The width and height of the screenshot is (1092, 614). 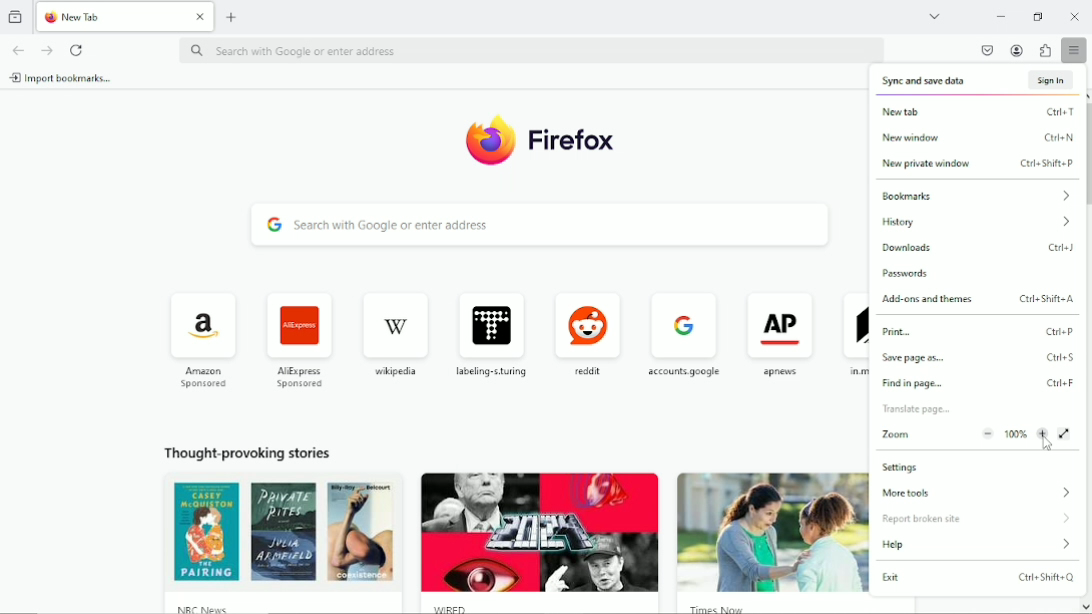 What do you see at coordinates (537, 50) in the screenshot?
I see `search bar` at bounding box center [537, 50].